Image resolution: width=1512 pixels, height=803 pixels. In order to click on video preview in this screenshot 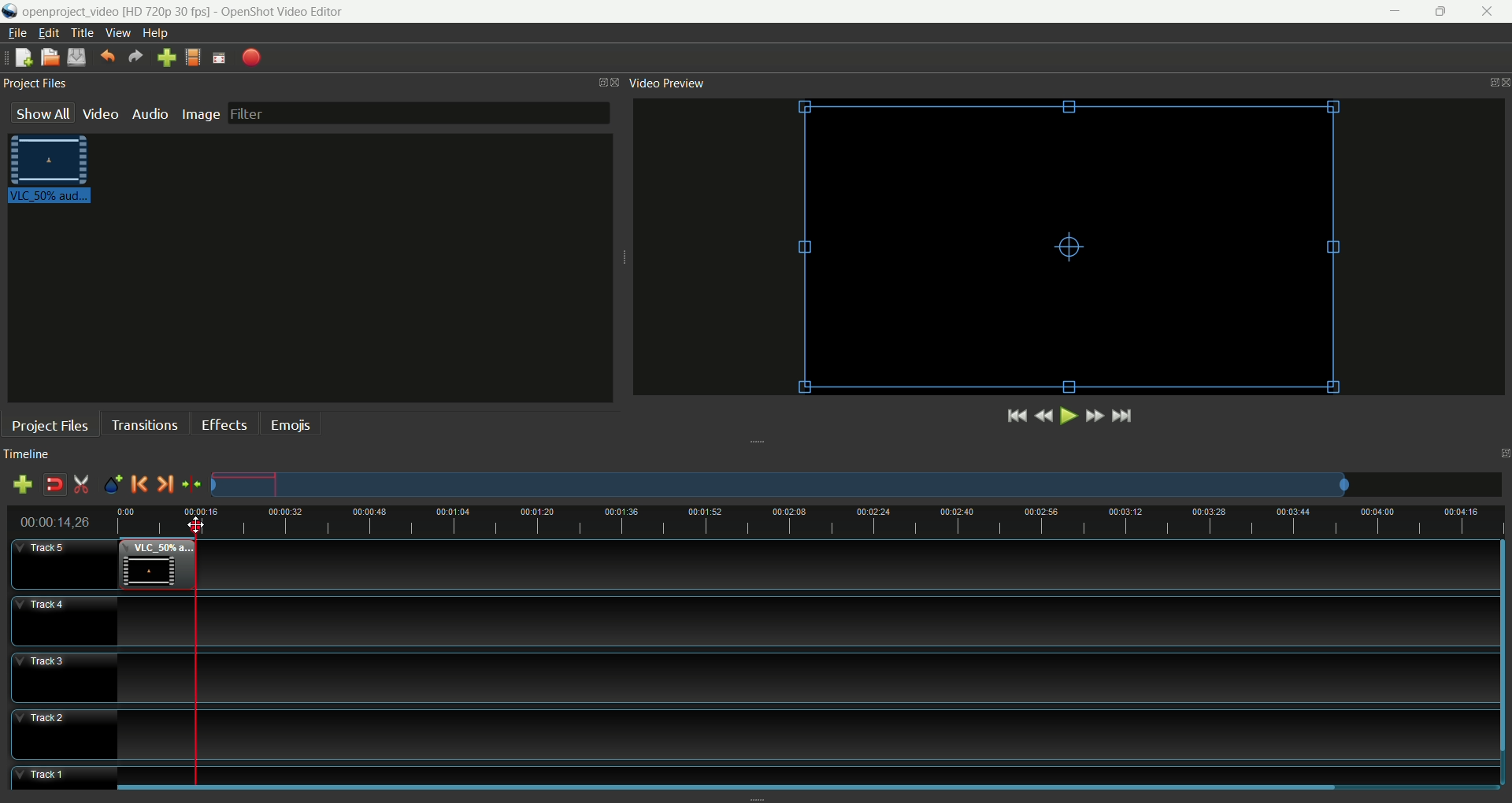, I will do `click(665, 83)`.